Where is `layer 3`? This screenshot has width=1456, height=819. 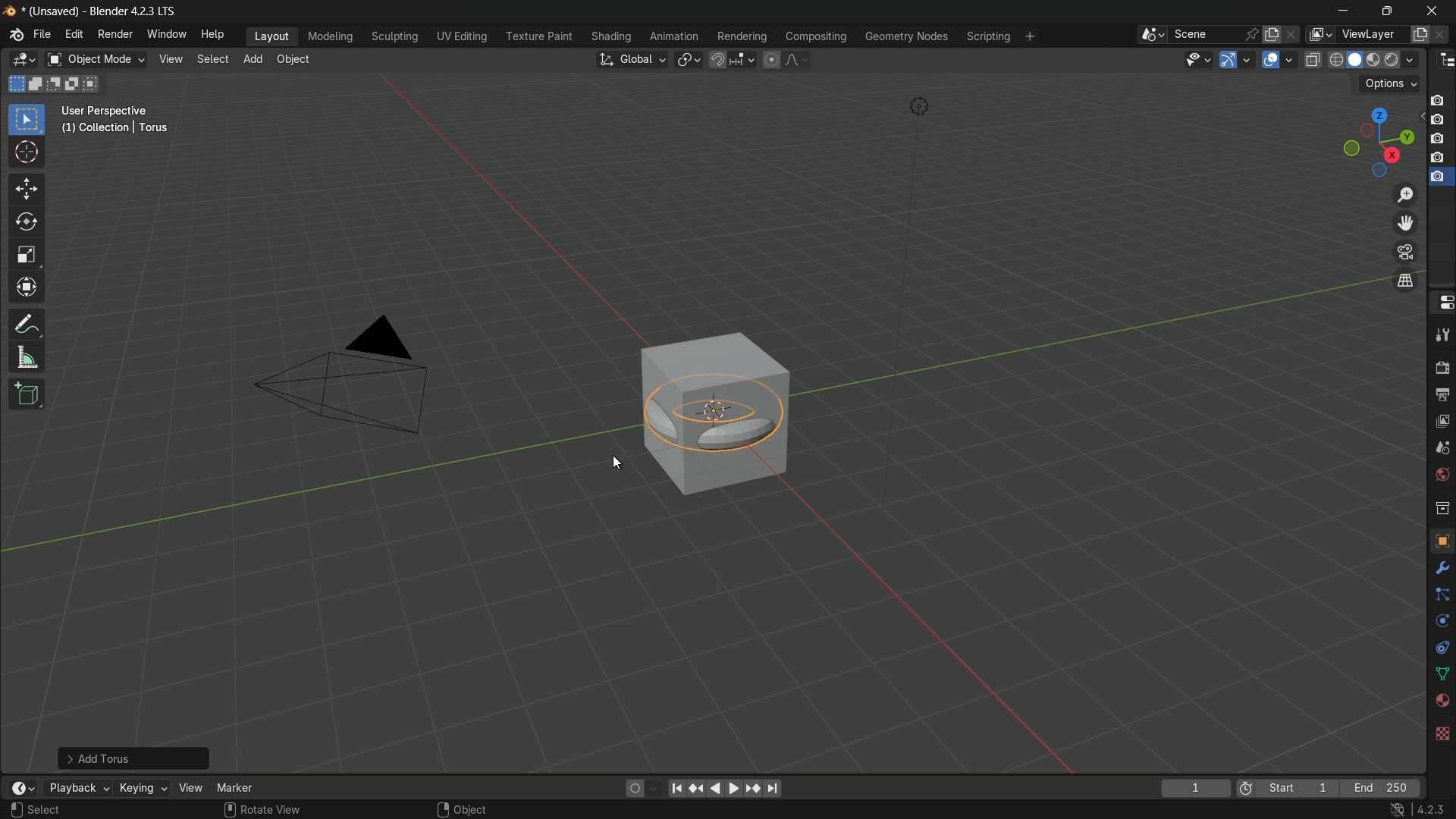 layer 3 is located at coordinates (1437, 139).